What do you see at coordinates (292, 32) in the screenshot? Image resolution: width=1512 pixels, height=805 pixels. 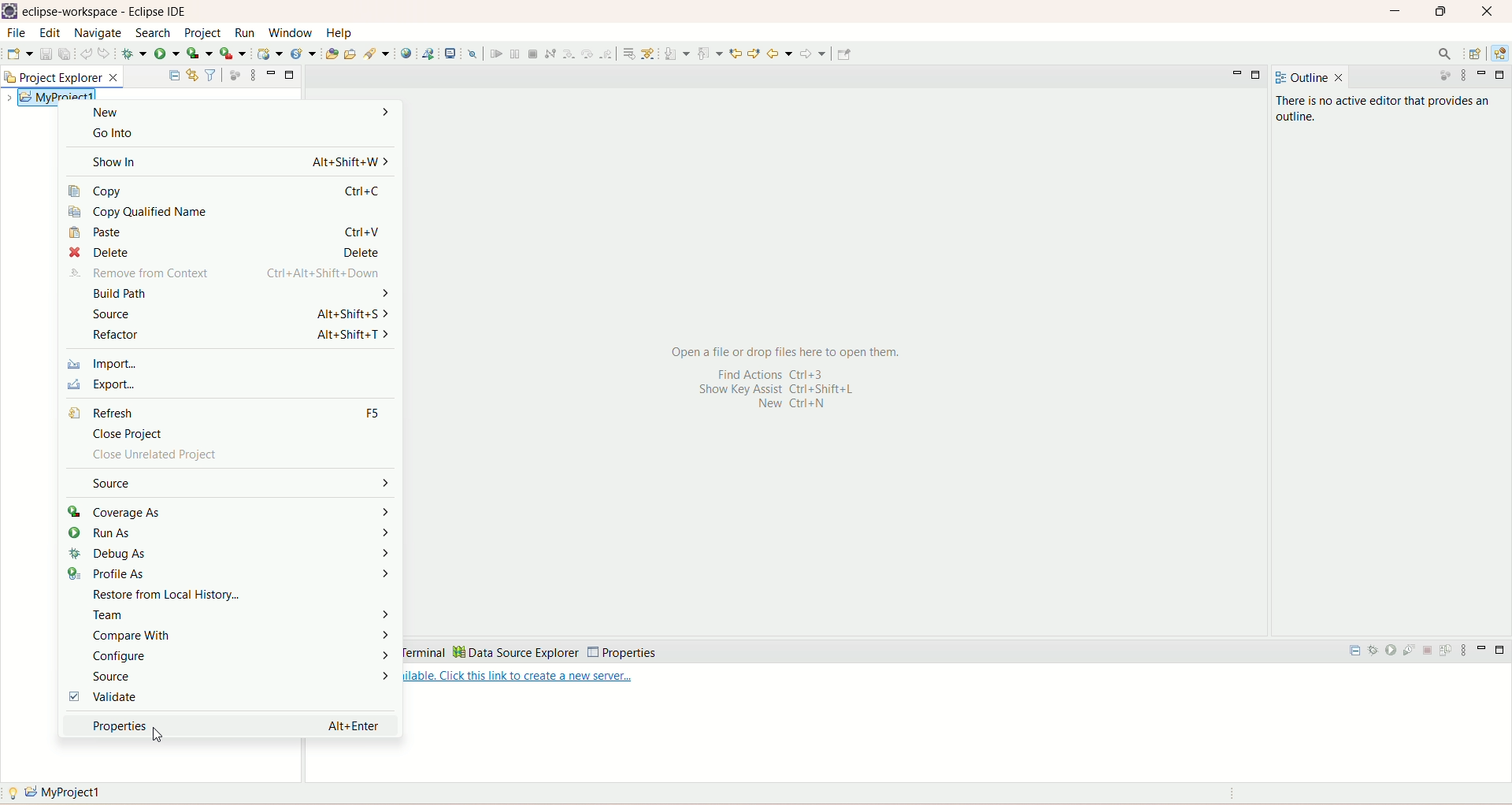 I see `window` at bounding box center [292, 32].